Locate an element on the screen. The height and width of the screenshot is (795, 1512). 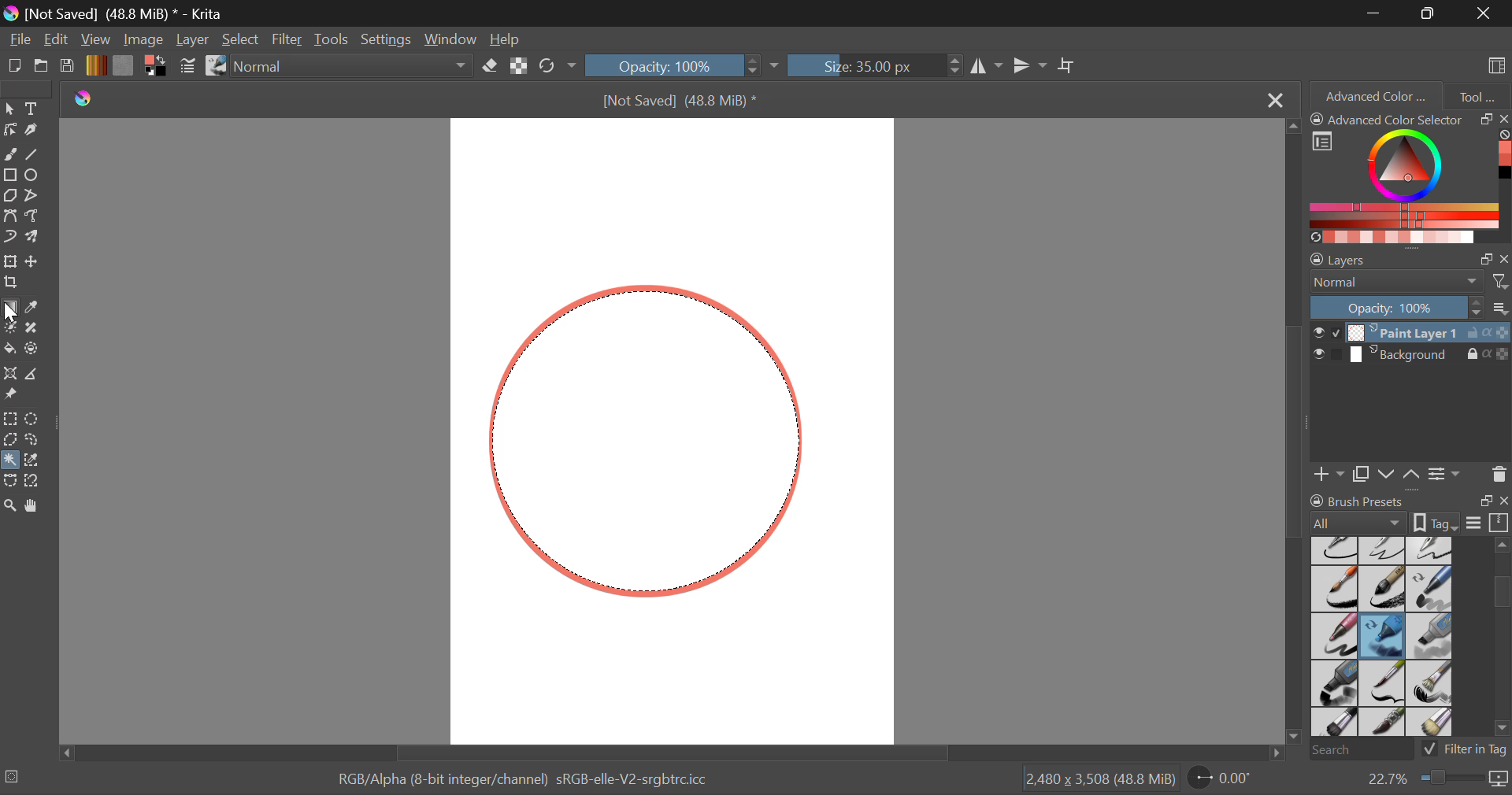
Calligraphic Tool is located at coordinates (35, 130).